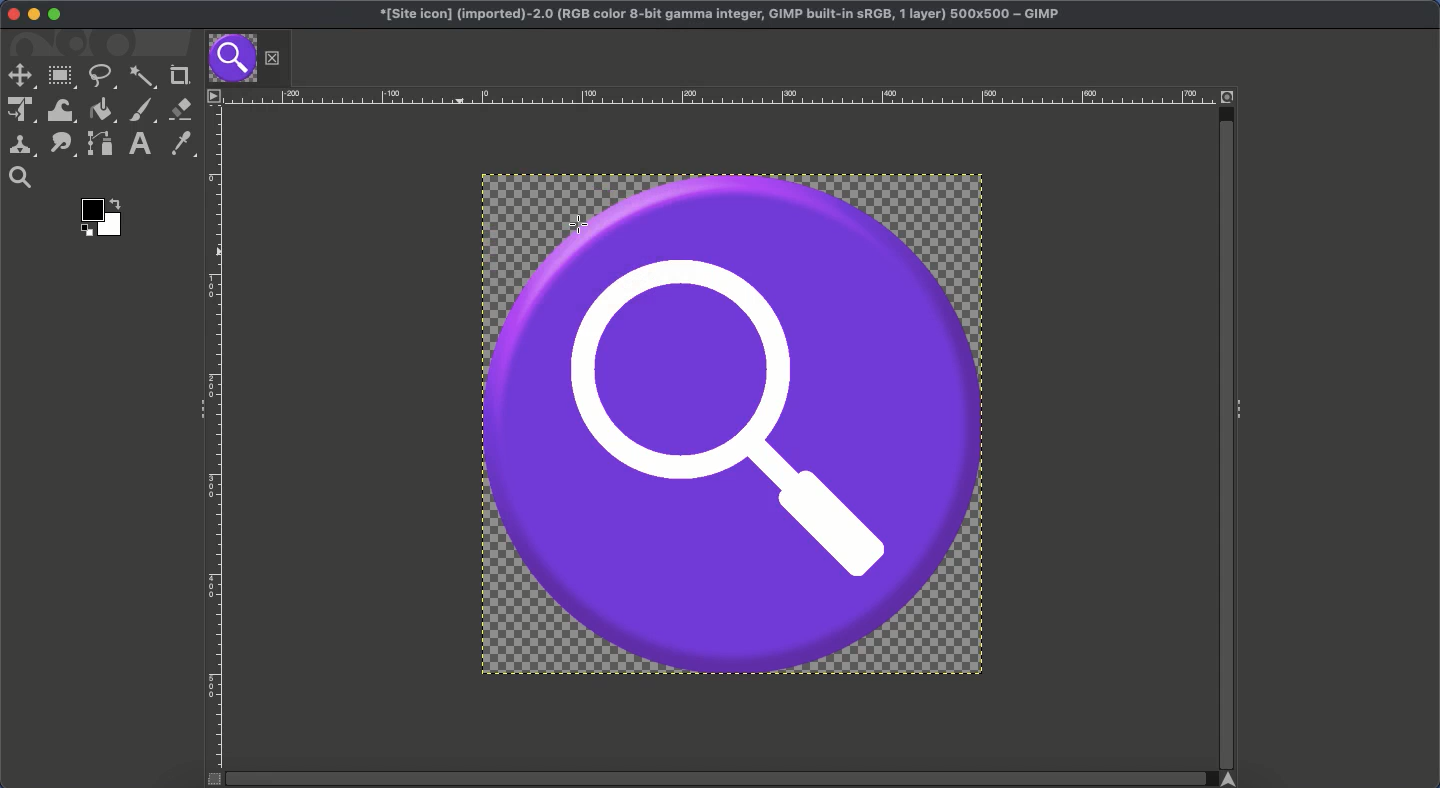 The image size is (1440, 788). What do you see at coordinates (19, 177) in the screenshot?
I see `Maginfy` at bounding box center [19, 177].